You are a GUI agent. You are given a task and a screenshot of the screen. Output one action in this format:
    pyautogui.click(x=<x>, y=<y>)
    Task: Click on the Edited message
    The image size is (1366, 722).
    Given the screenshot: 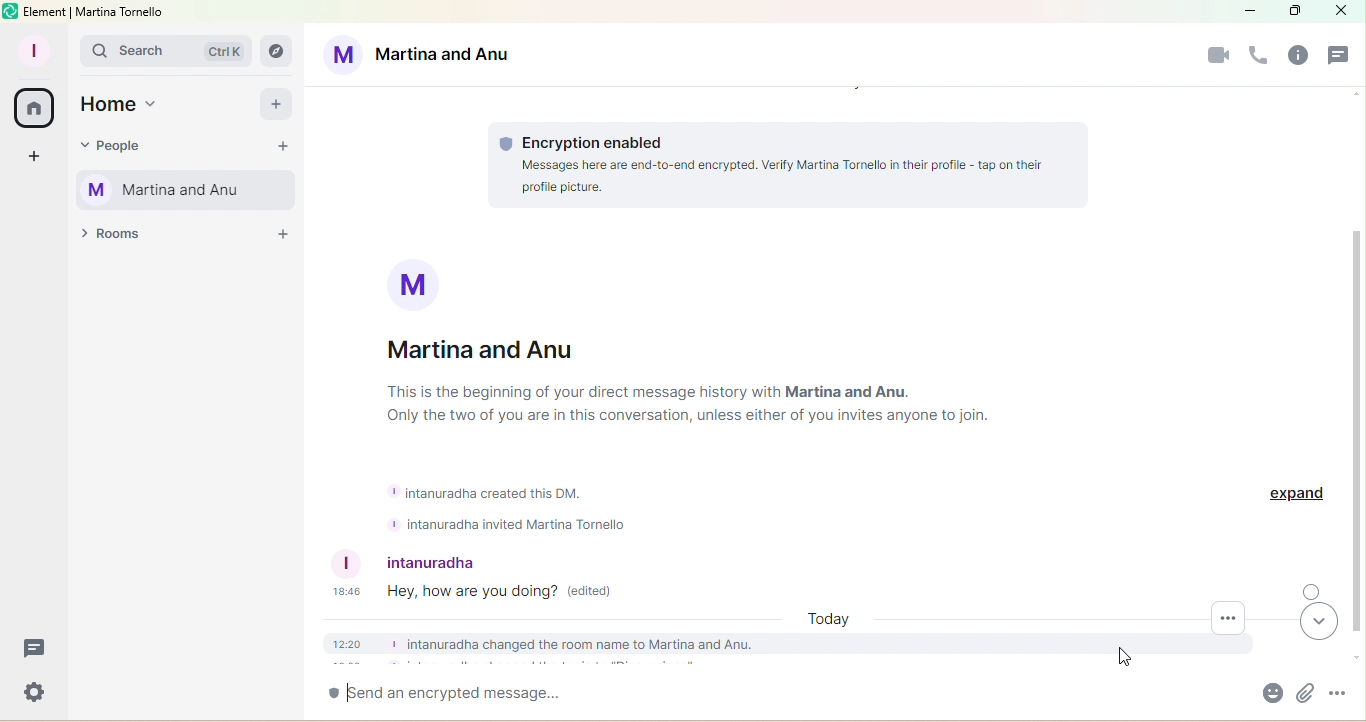 What is the action you would take?
    pyautogui.click(x=507, y=594)
    